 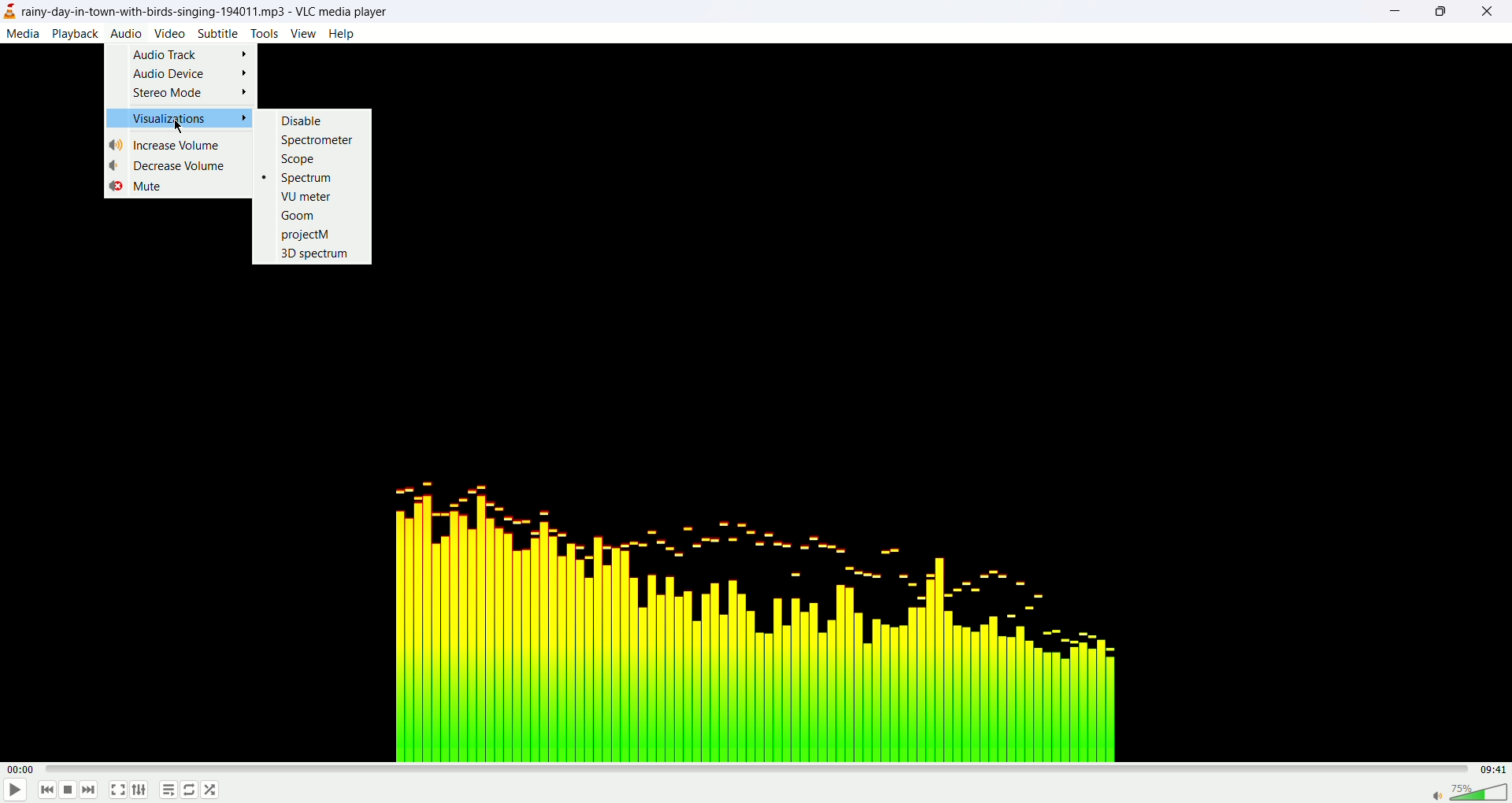 I want to click on disable, so click(x=302, y=121).